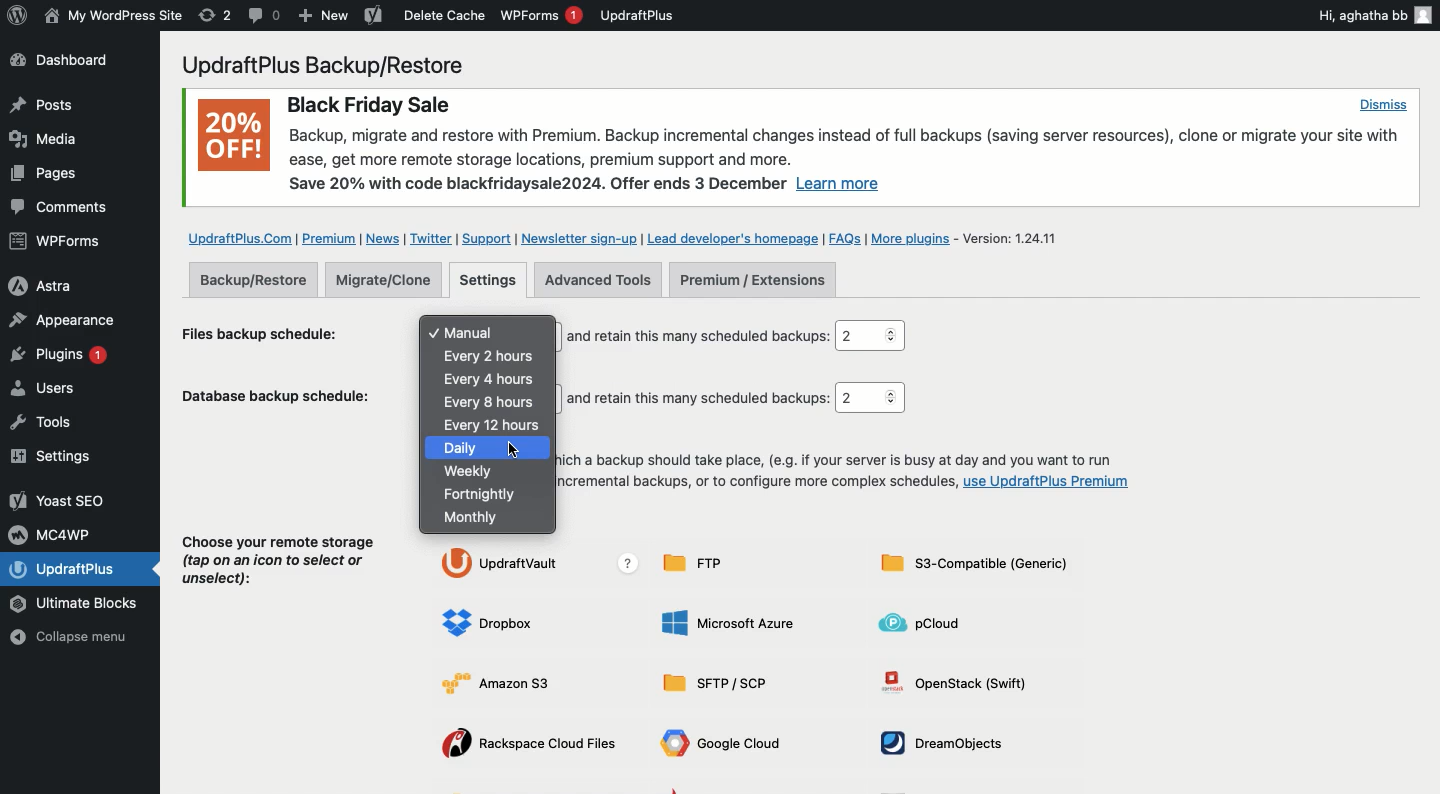  What do you see at coordinates (215, 15) in the screenshot?
I see `Revision` at bounding box center [215, 15].